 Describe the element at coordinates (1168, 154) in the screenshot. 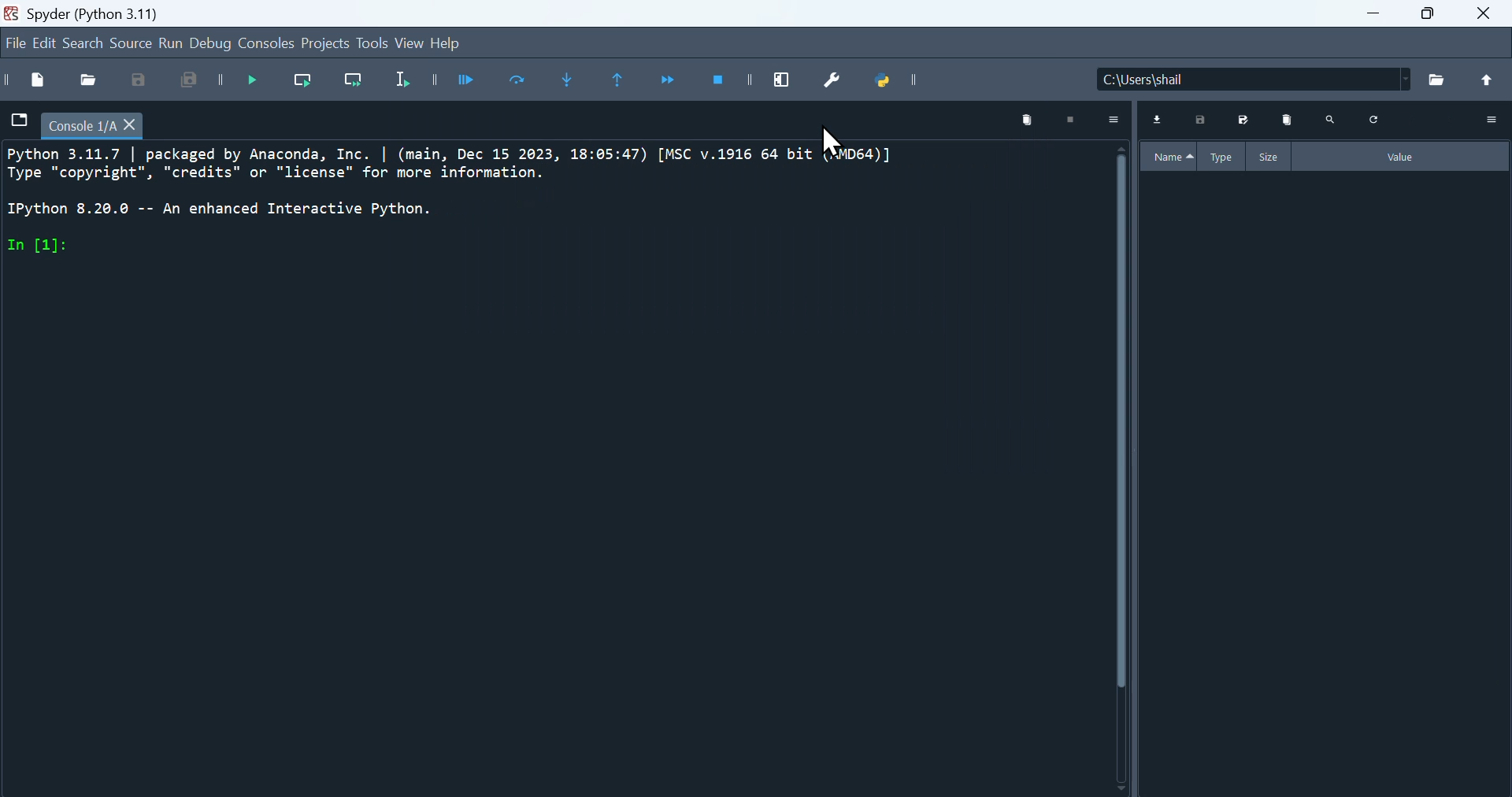

I see `Name` at that location.